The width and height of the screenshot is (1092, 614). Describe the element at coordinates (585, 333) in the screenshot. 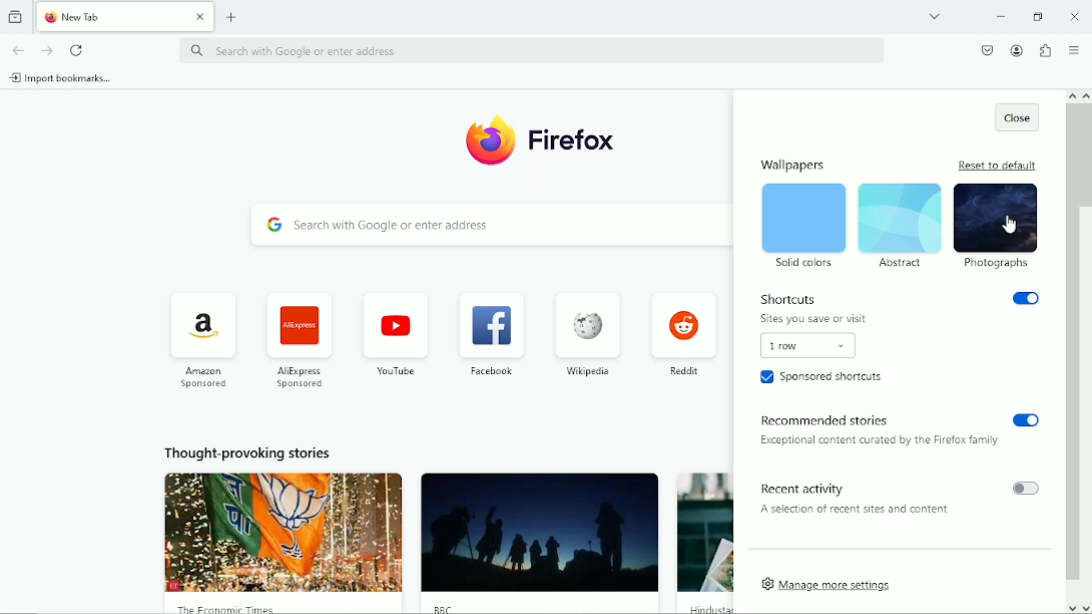

I see `Wikipedia` at that location.